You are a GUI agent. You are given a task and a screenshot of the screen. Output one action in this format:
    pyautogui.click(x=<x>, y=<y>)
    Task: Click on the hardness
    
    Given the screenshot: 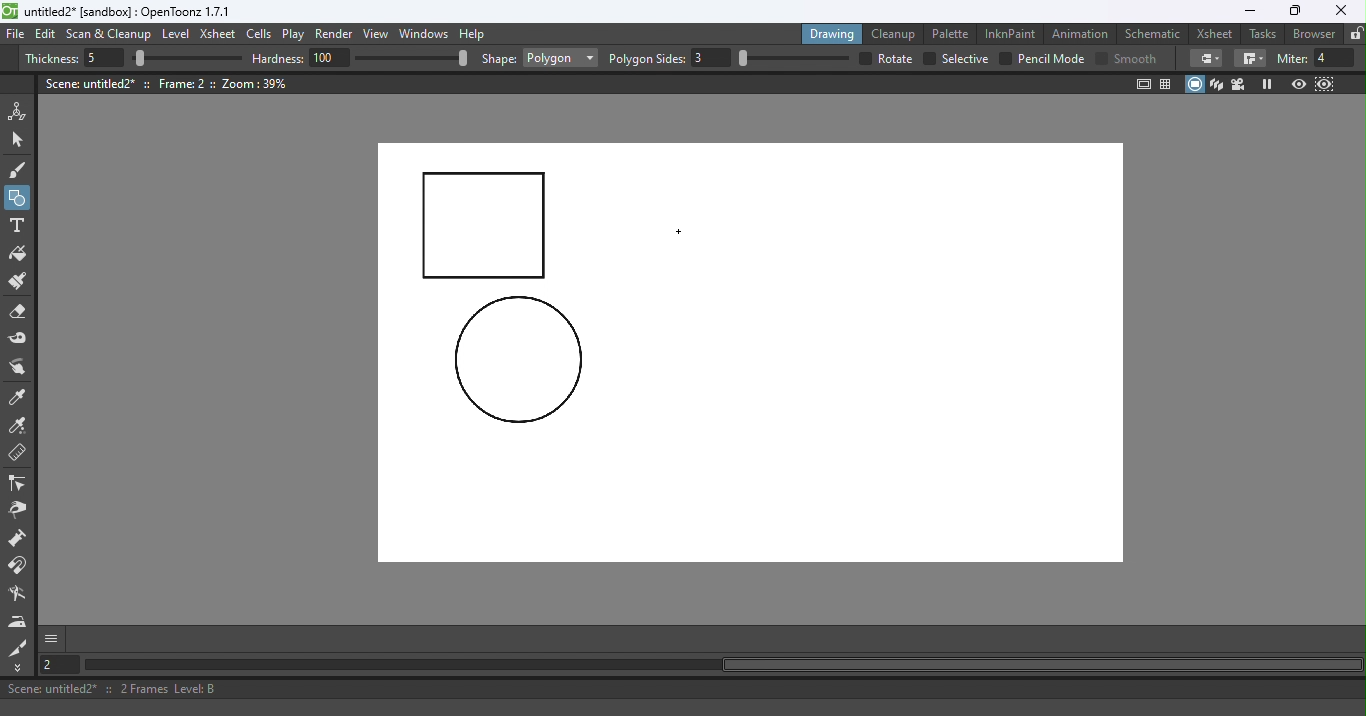 What is the action you would take?
    pyautogui.click(x=280, y=58)
    